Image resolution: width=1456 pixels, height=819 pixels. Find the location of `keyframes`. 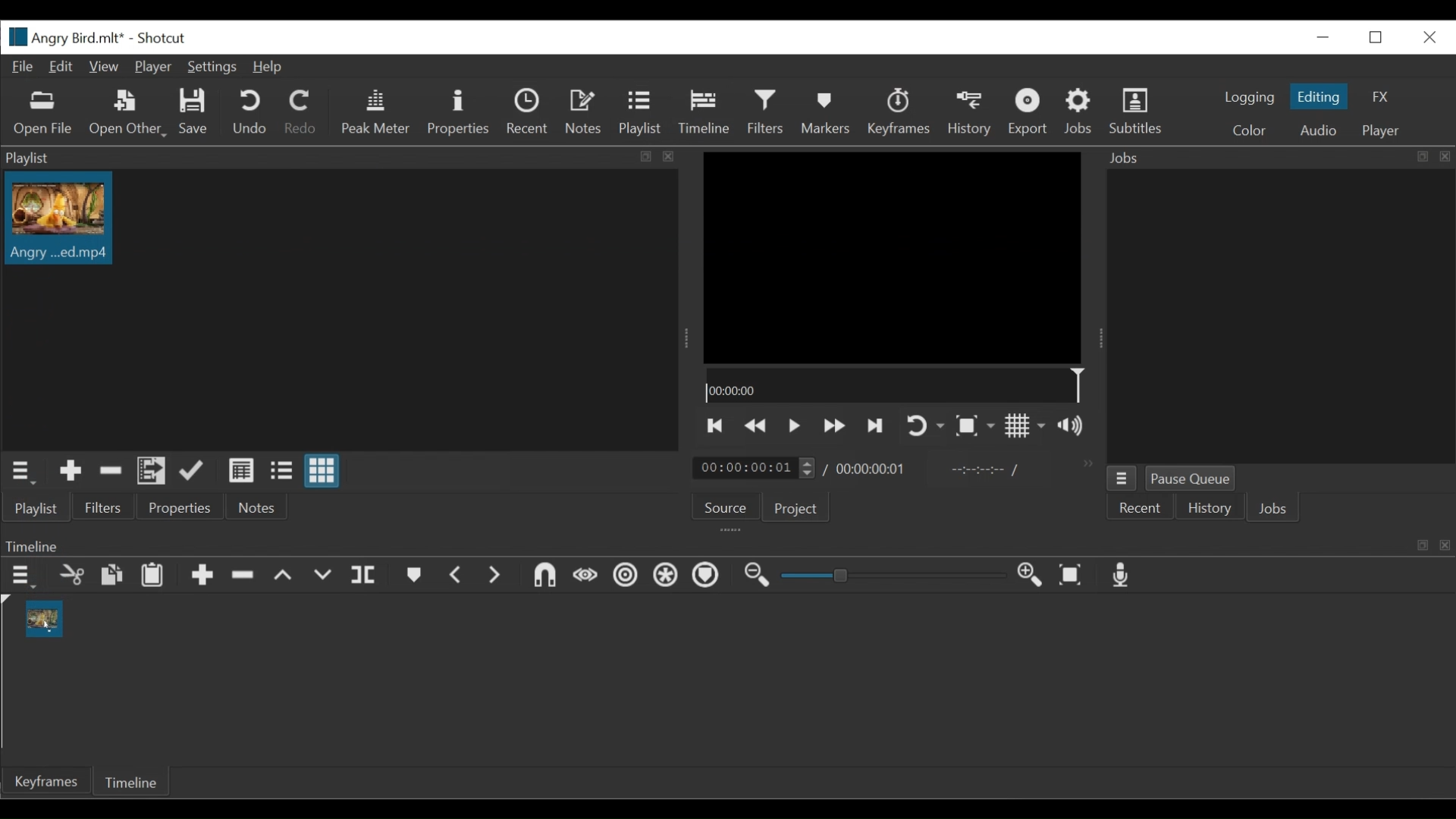

keyframes is located at coordinates (898, 112).